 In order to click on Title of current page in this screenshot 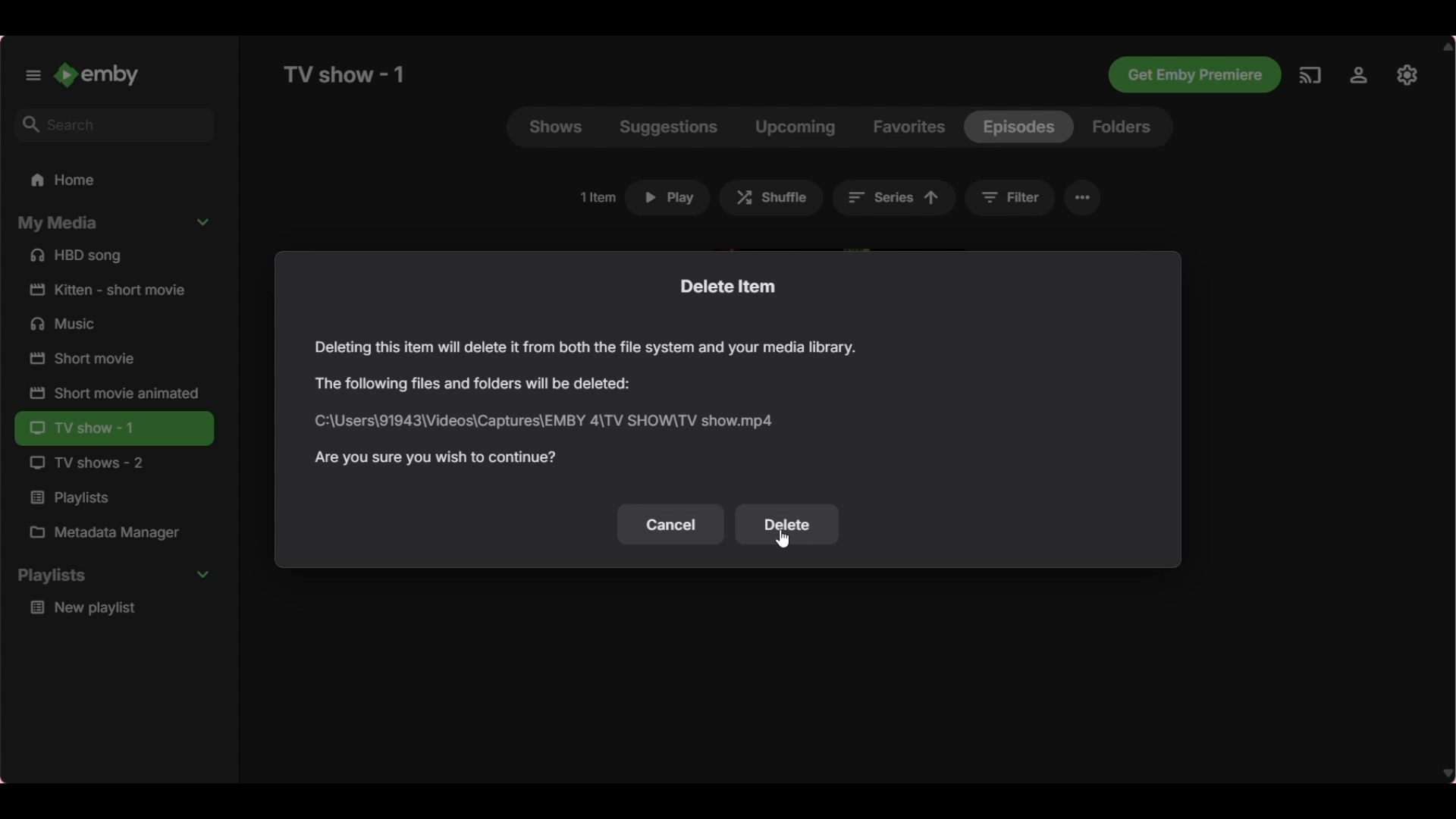, I will do `click(344, 74)`.